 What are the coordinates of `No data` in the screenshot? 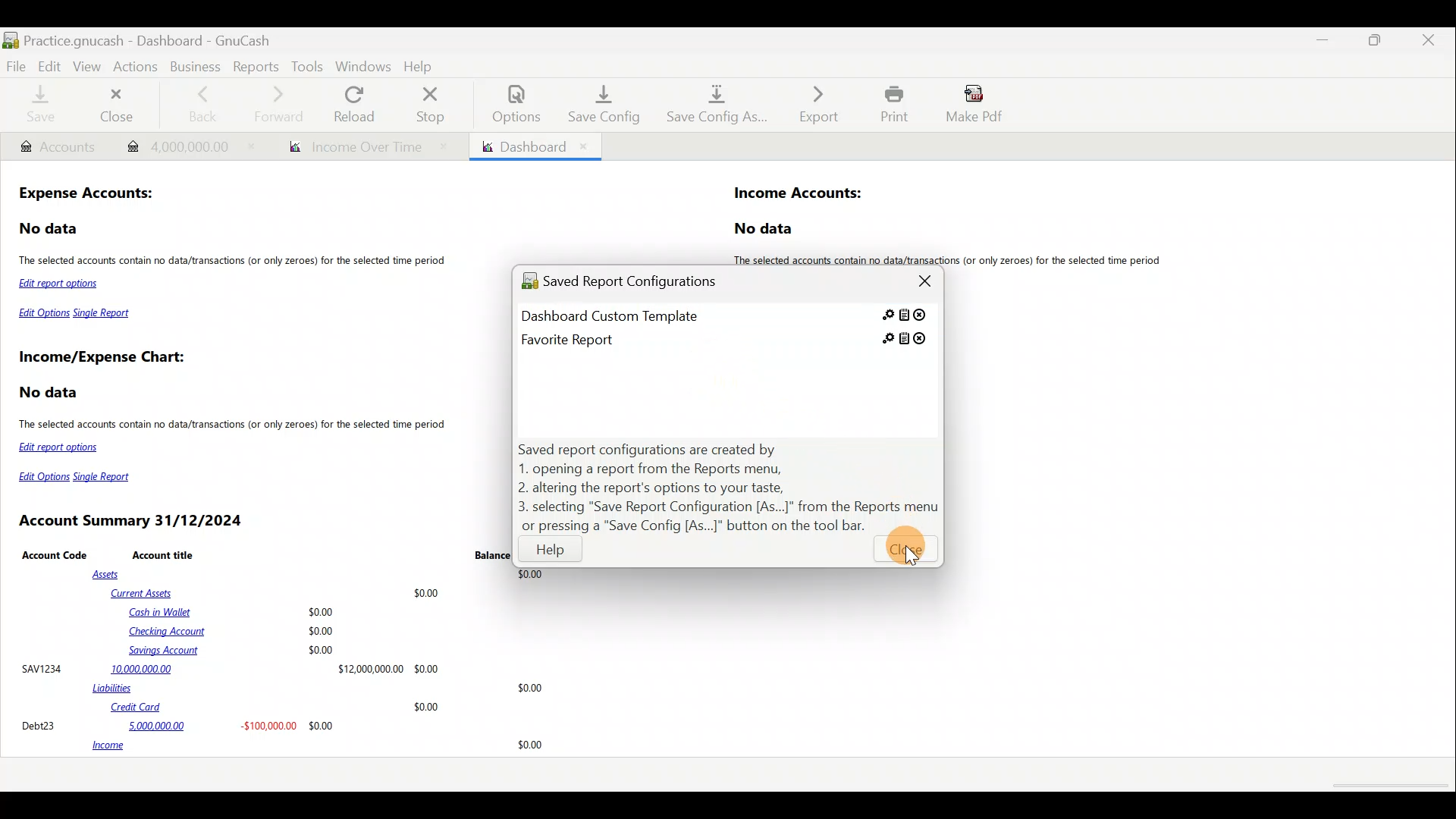 It's located at (50, 229).